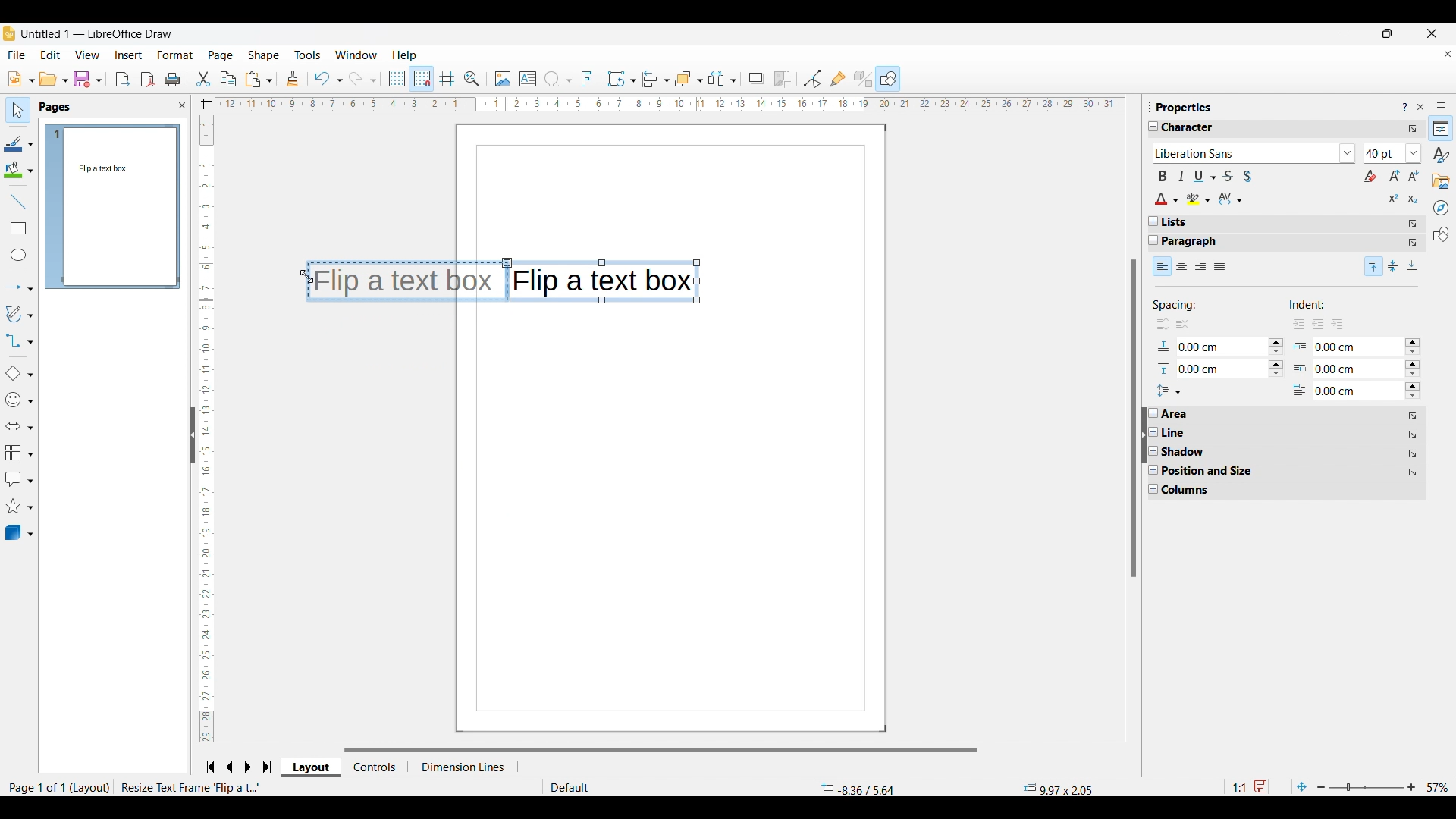 The height and width of the screenshot is (819, 1456). What do you see at coordinates (263, 55) in the screenshot?
I see `Shape menu` at bounding box center [263, 55].